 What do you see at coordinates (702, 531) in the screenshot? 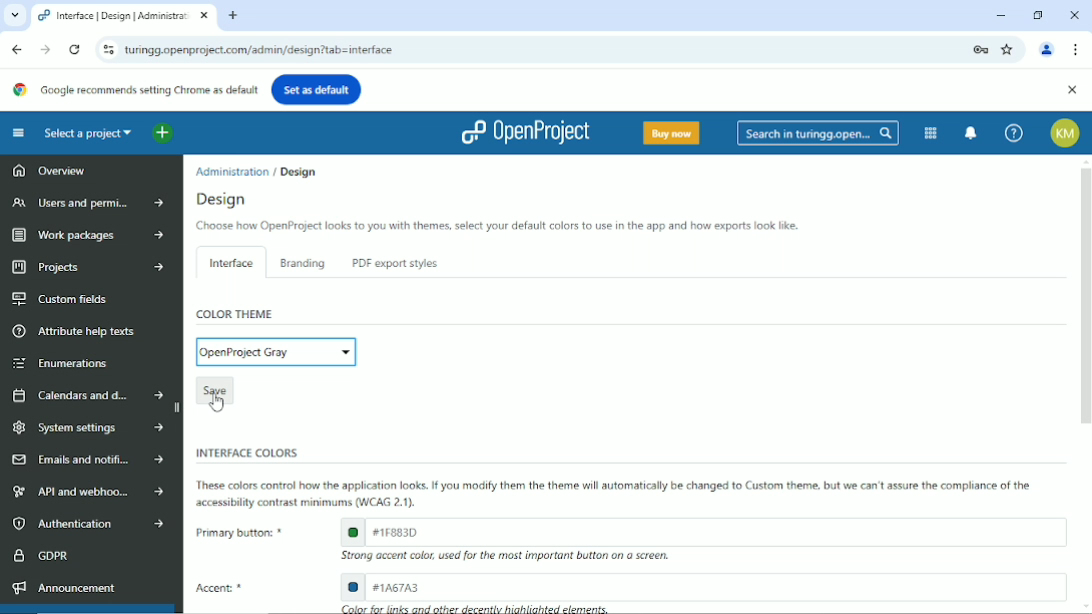
I see `primary button` at bounding box center [702, 531].